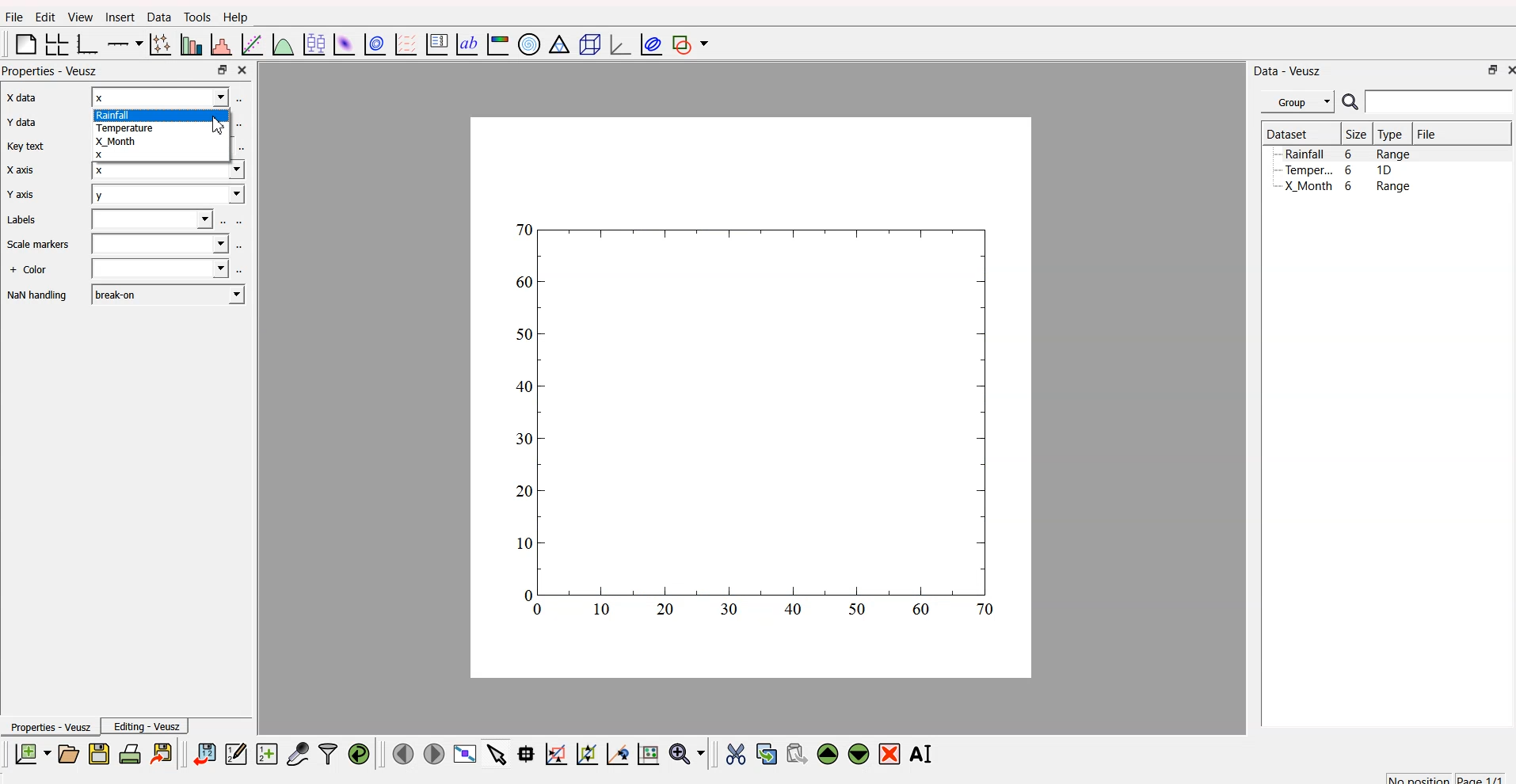 This screenshot has height=784, width=1516. What do you see at coordinates (148, 726) in the screenshot?
I see `Editing - Veusz |` at bounding box center [148, 726].